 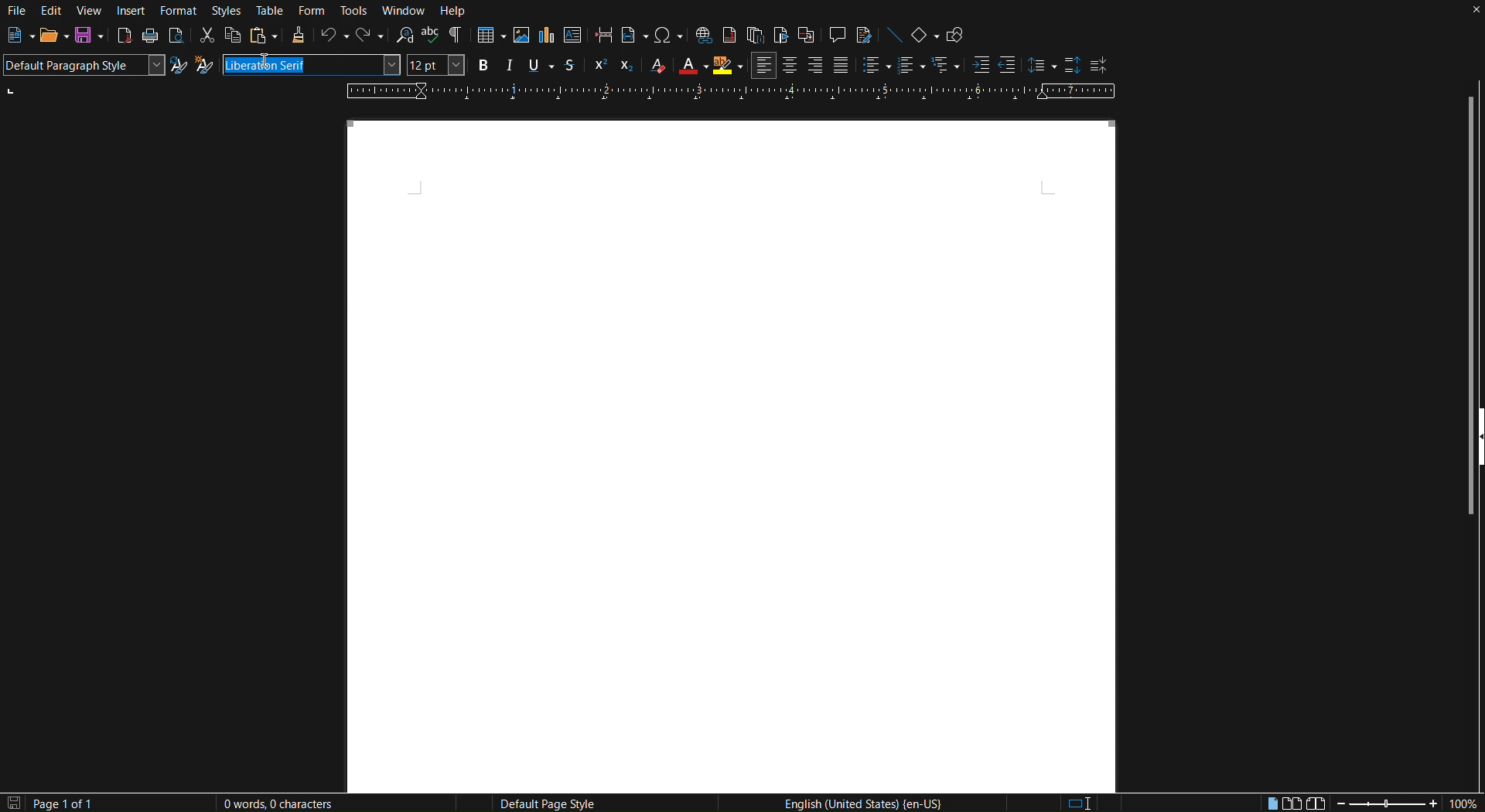 What do you see at coordinates (313, 66) in the screenshot?
I see `Font name - Liberation Serif` at bounding box center [313, 66].